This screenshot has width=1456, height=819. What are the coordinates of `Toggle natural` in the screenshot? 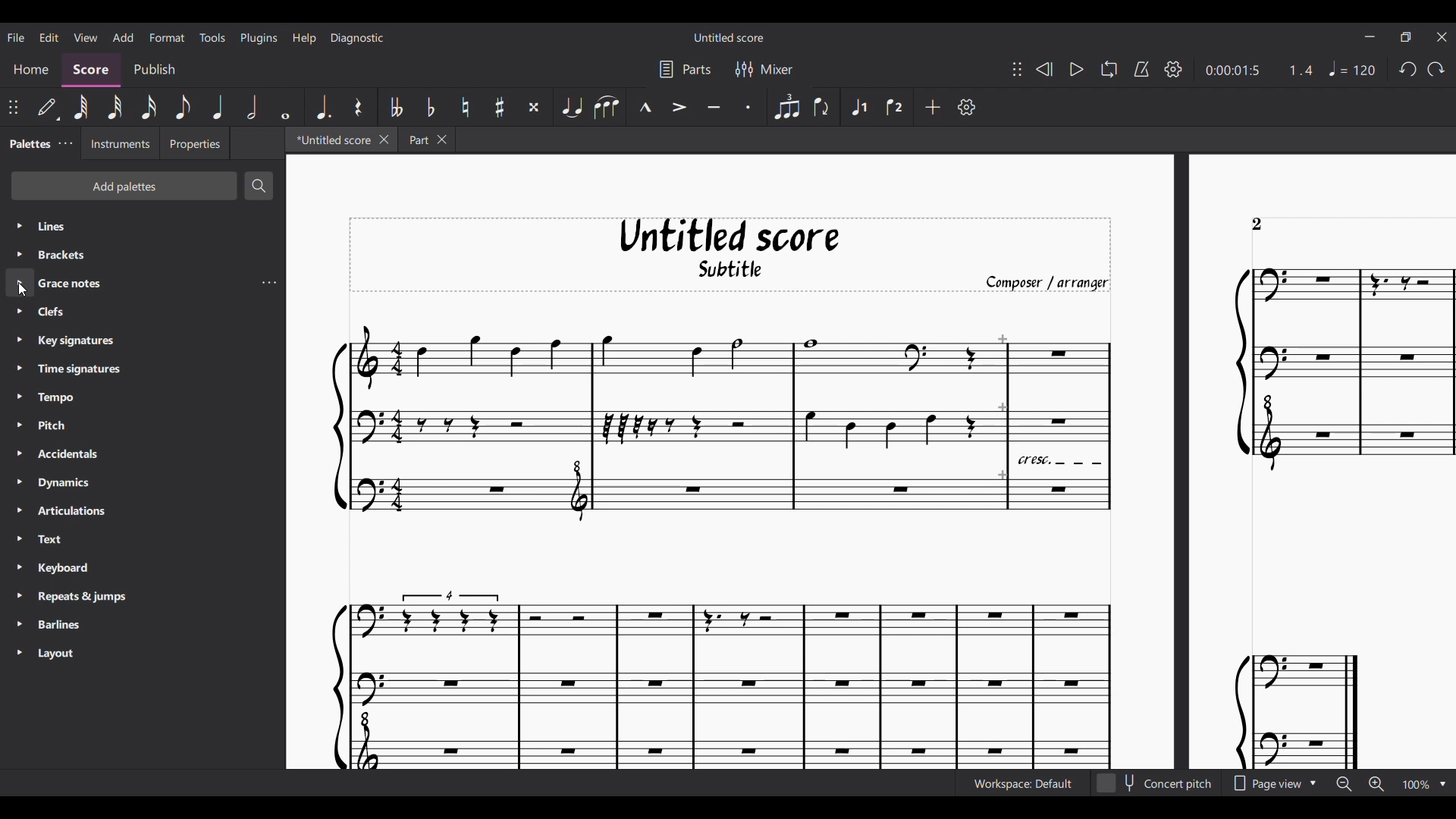 It's located at (465, 107).